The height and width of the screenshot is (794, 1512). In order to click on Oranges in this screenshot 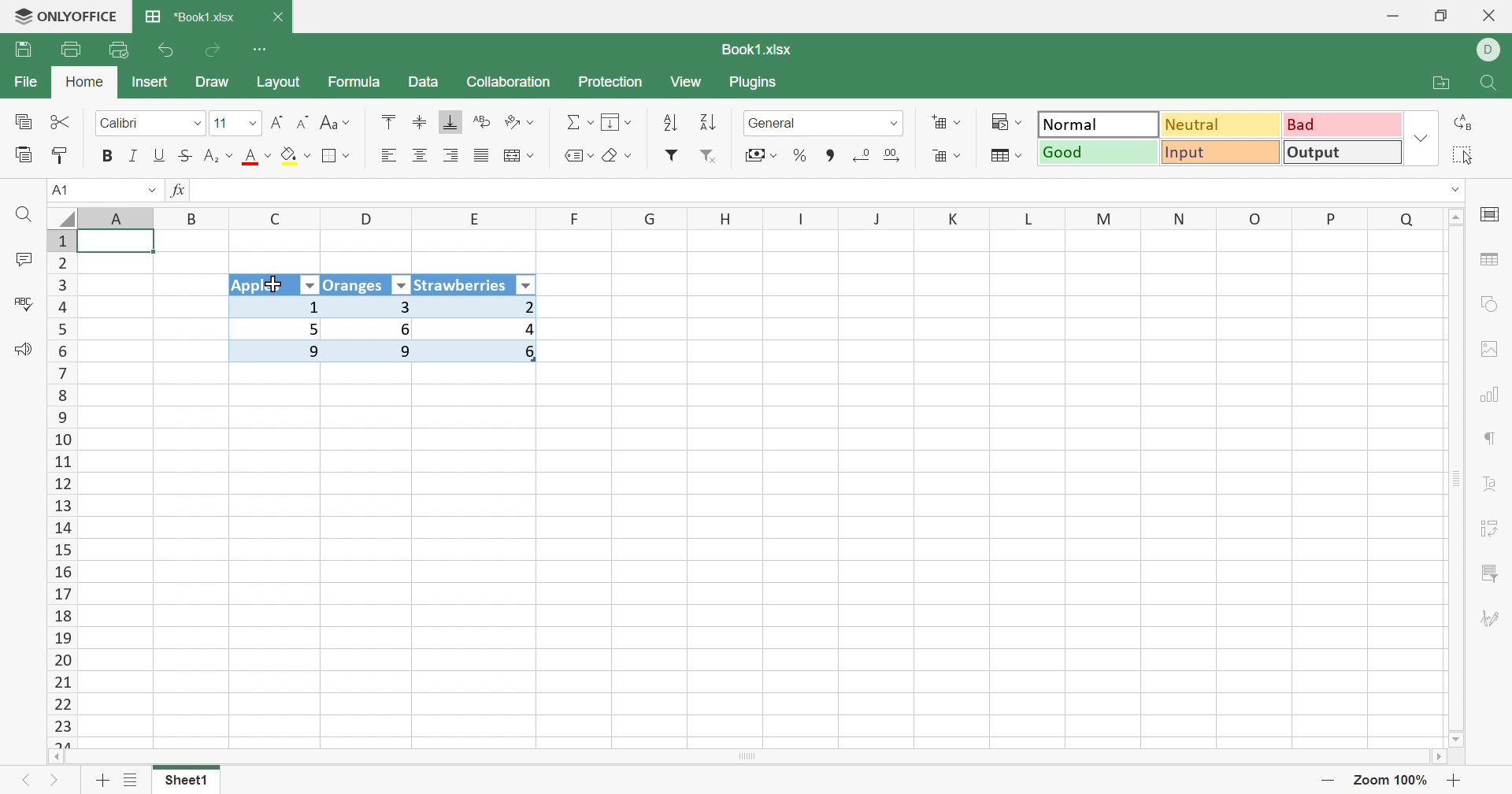, I will do `click(355, 284)`.